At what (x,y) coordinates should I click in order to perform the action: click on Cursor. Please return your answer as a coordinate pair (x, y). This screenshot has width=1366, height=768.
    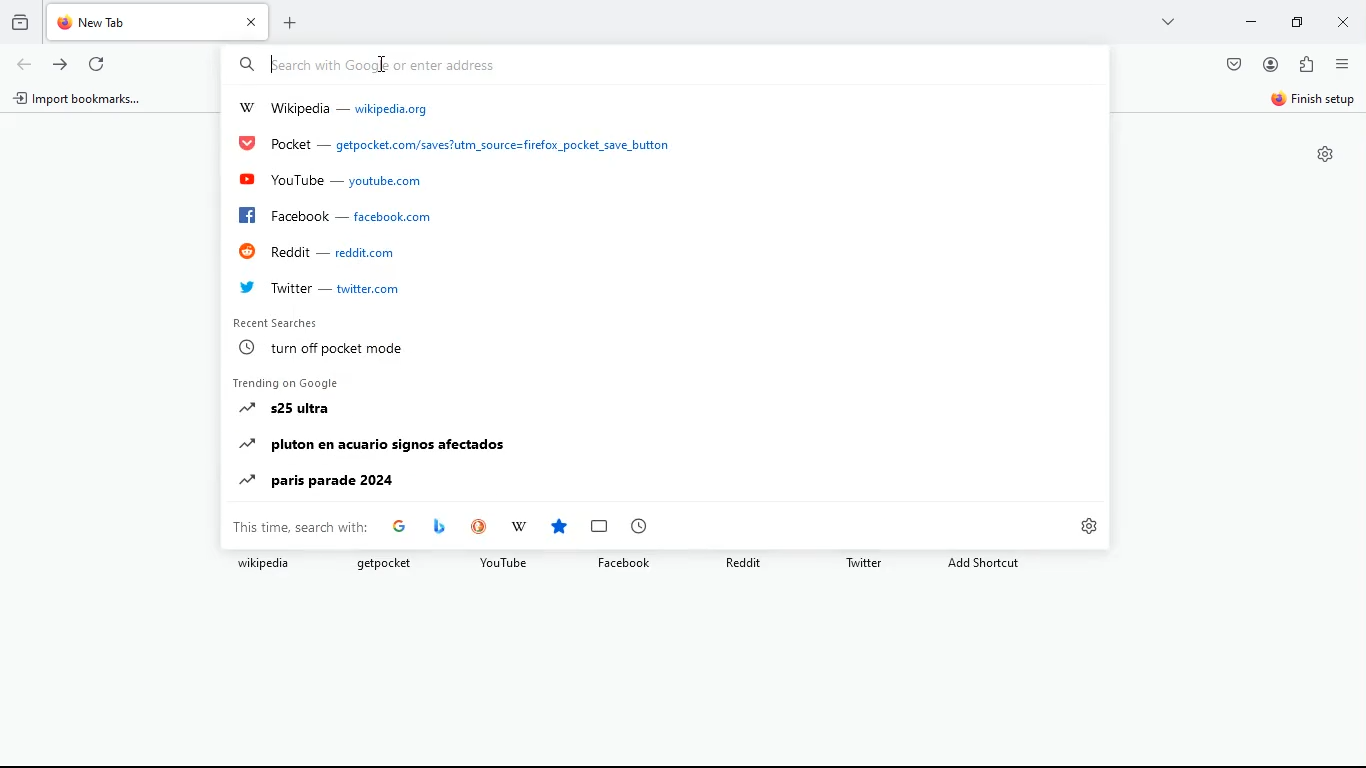
    Looking at the image, I should click on (382, 65).